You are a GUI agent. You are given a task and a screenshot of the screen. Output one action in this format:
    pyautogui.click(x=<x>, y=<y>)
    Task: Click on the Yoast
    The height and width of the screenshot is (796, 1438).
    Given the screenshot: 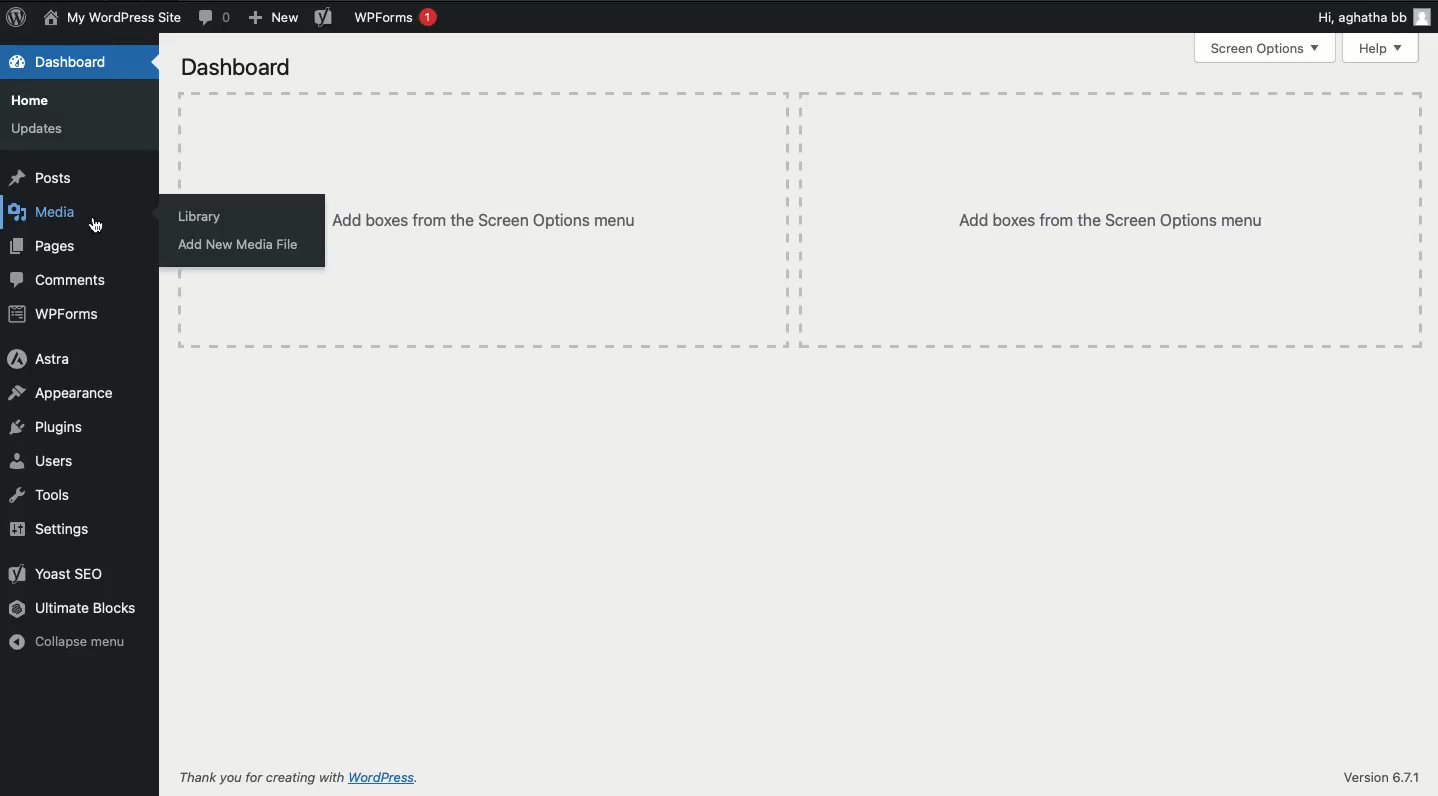 What is the action you would take?
    pyautogui.click(x=324, y=19)
    